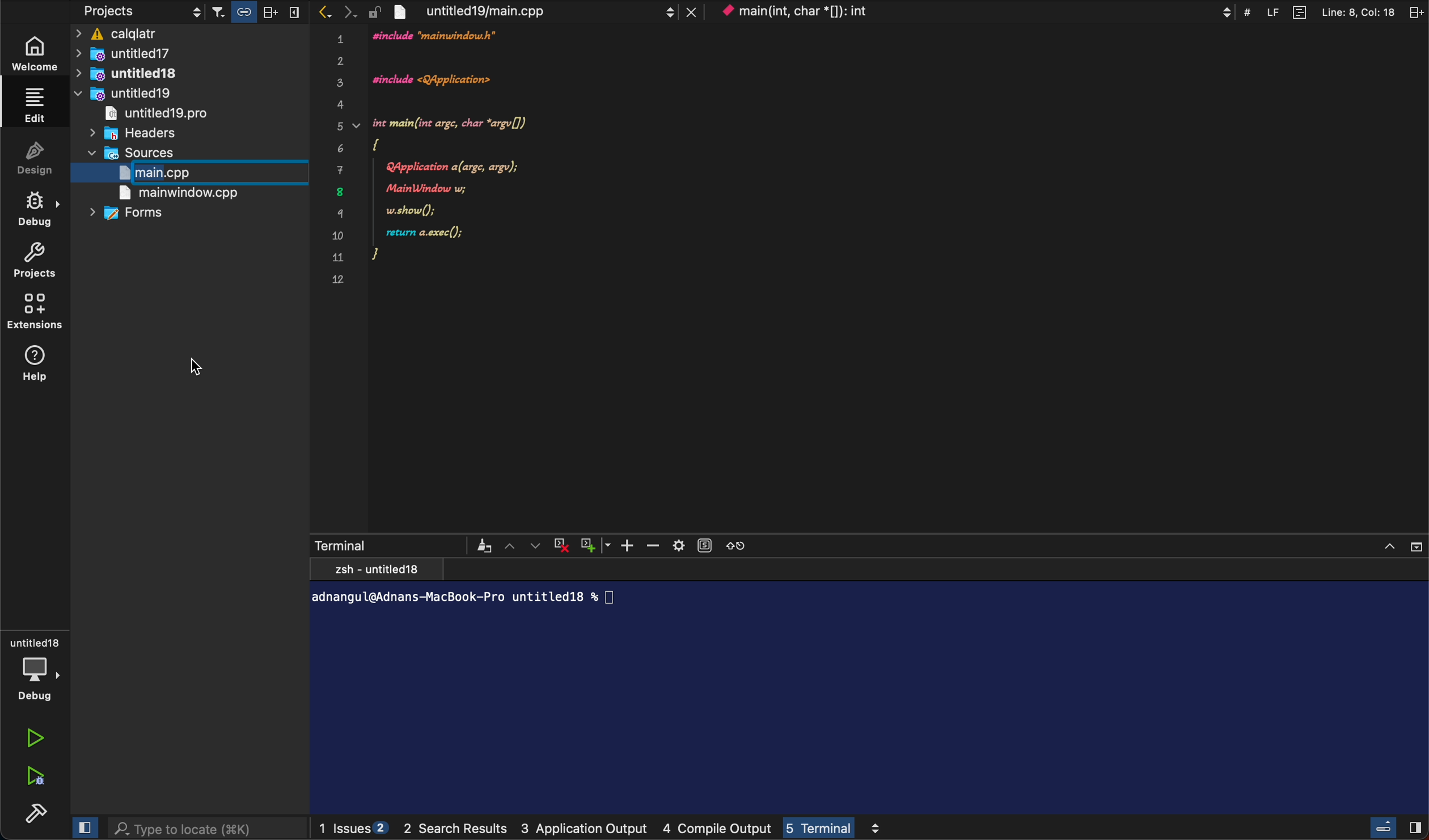 The image size is (1429, 840). Describe the element at coordinates (37, 813) in the screenshot. I see `build` at that location.